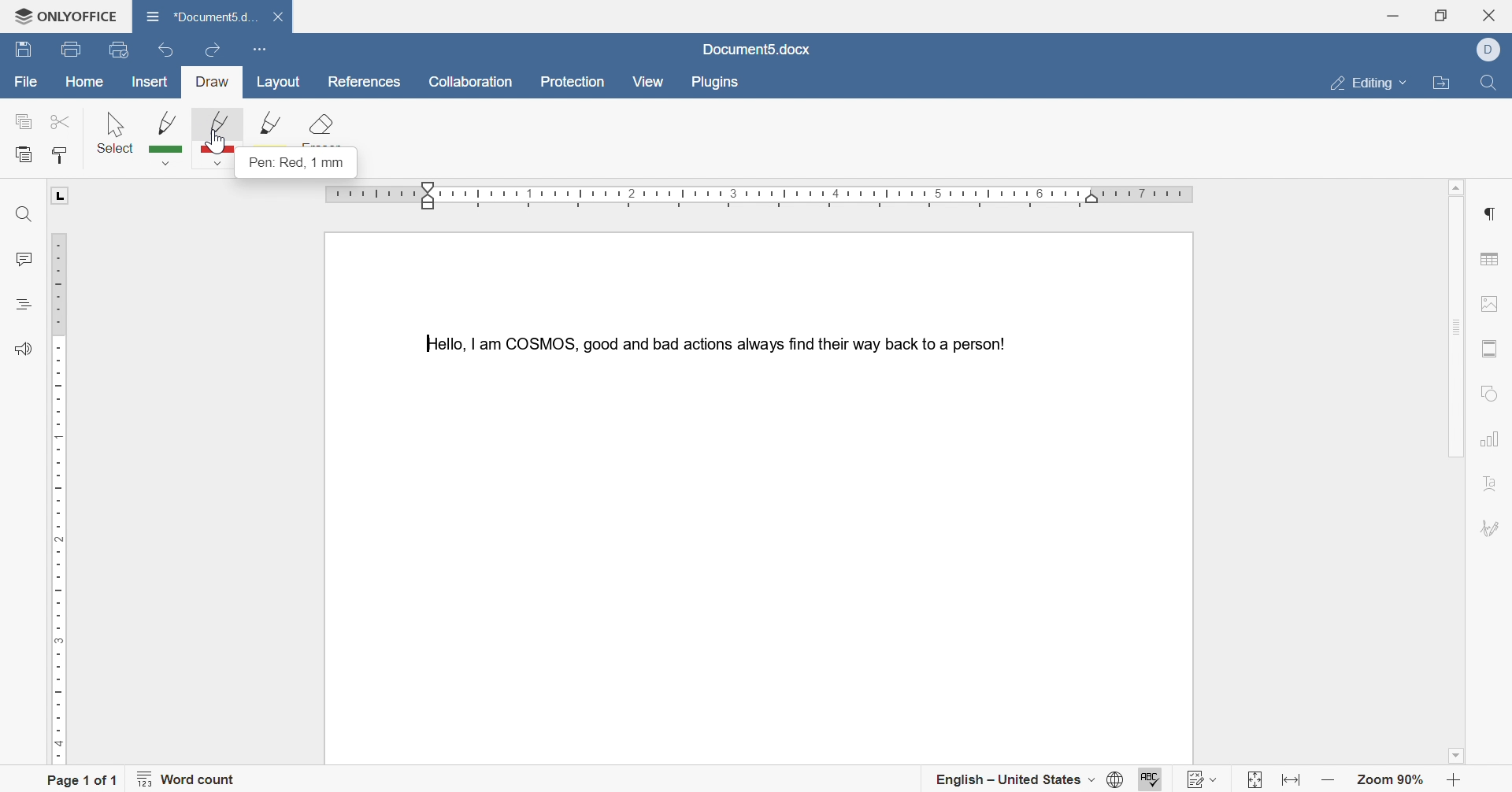 The width and height of the screenshot is (1512, 792). What do you see at coordinates (1251, 781) in the screenshot?
I see `fit to page` at bounding box center [1251, 781].